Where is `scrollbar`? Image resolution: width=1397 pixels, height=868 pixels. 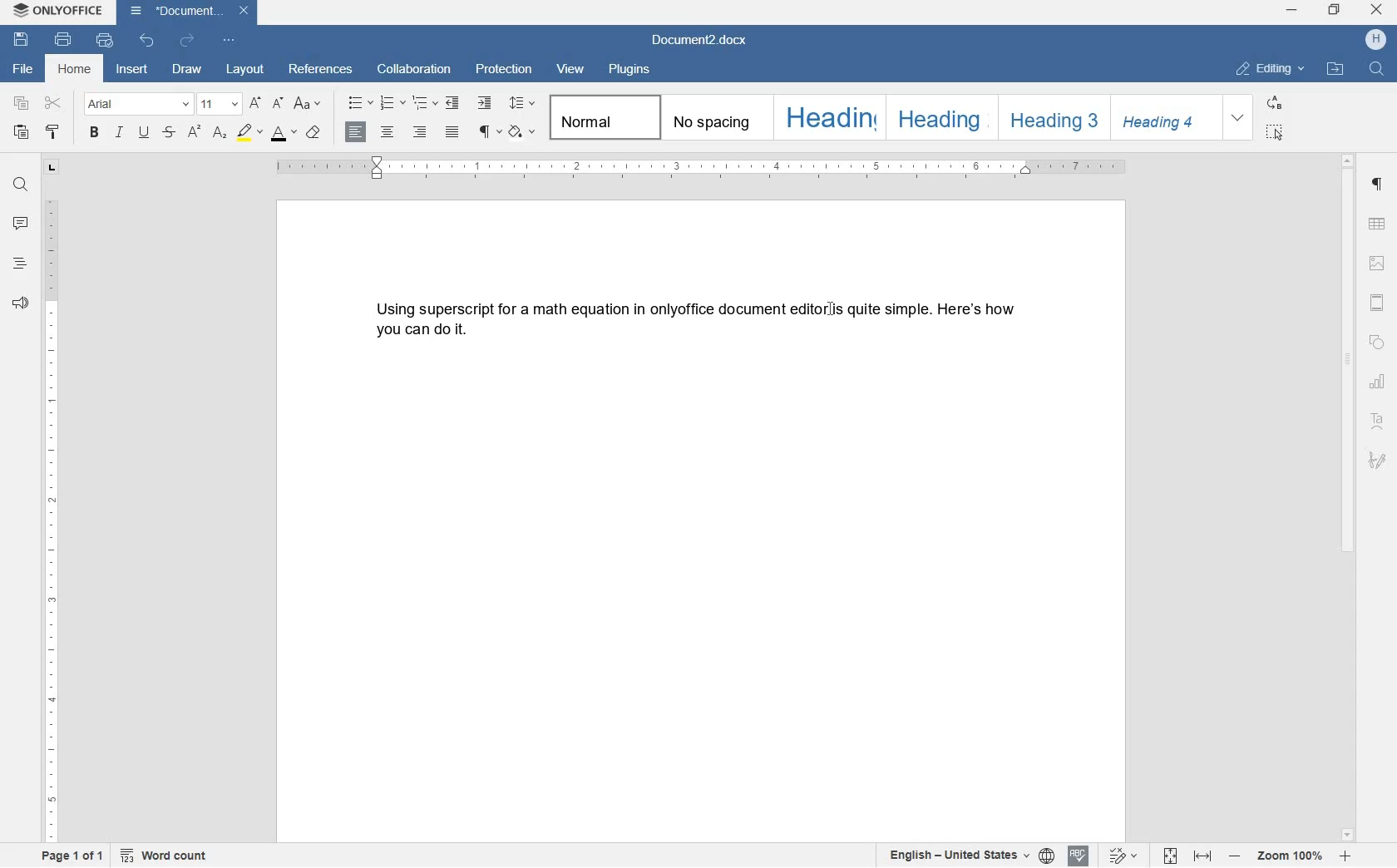
scrollbar is located at coordinates (1350, 497).